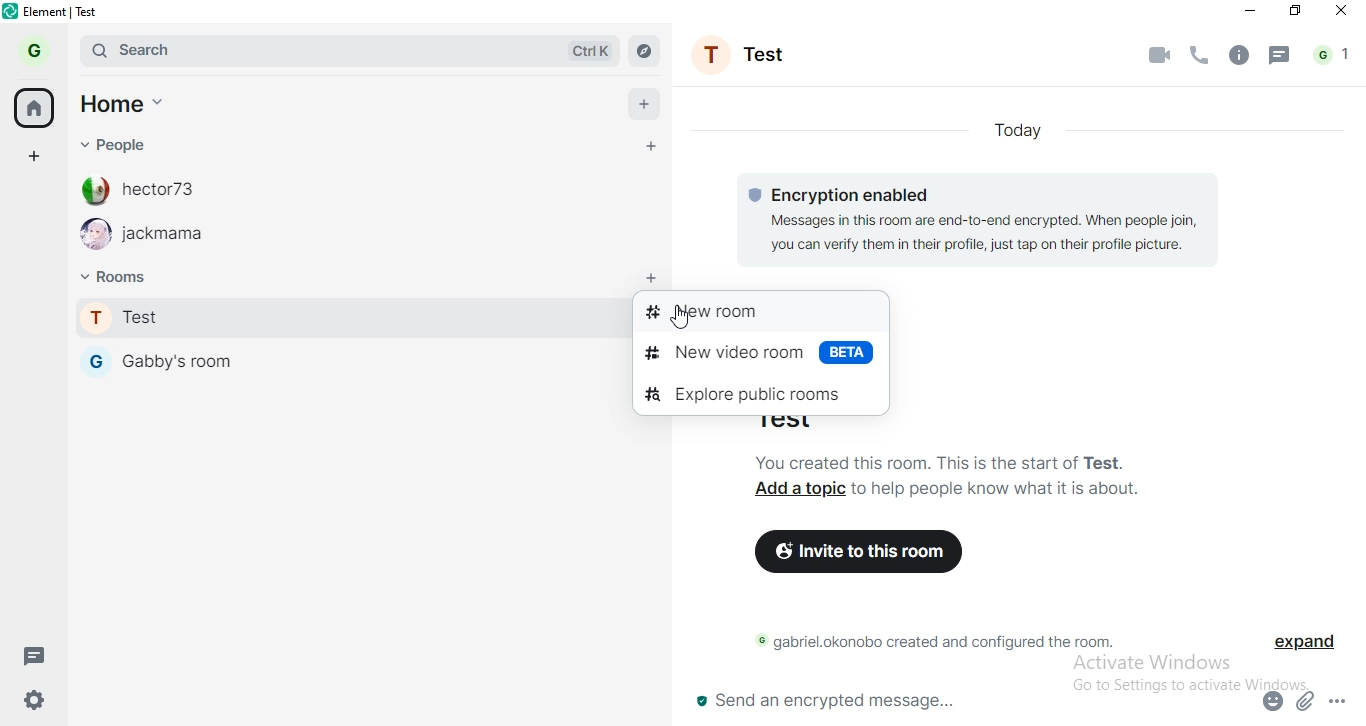 Image resolution: width=1366 pixels, height=726 pixels. What do you see at coordinates (1239, 55) in the screenshot?
I see `info` at bounding box center [1239, 55].